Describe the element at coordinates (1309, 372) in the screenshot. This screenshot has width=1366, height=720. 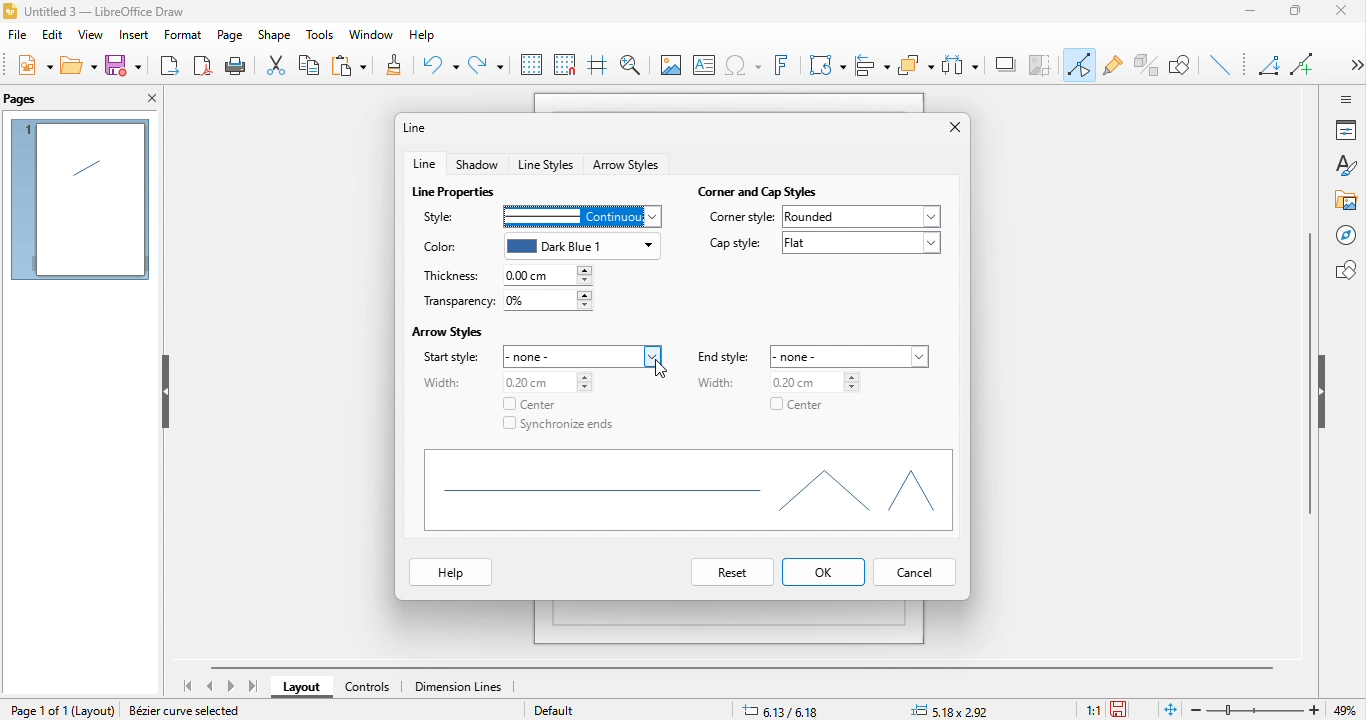
I see `vertical scroll bar` at that location.